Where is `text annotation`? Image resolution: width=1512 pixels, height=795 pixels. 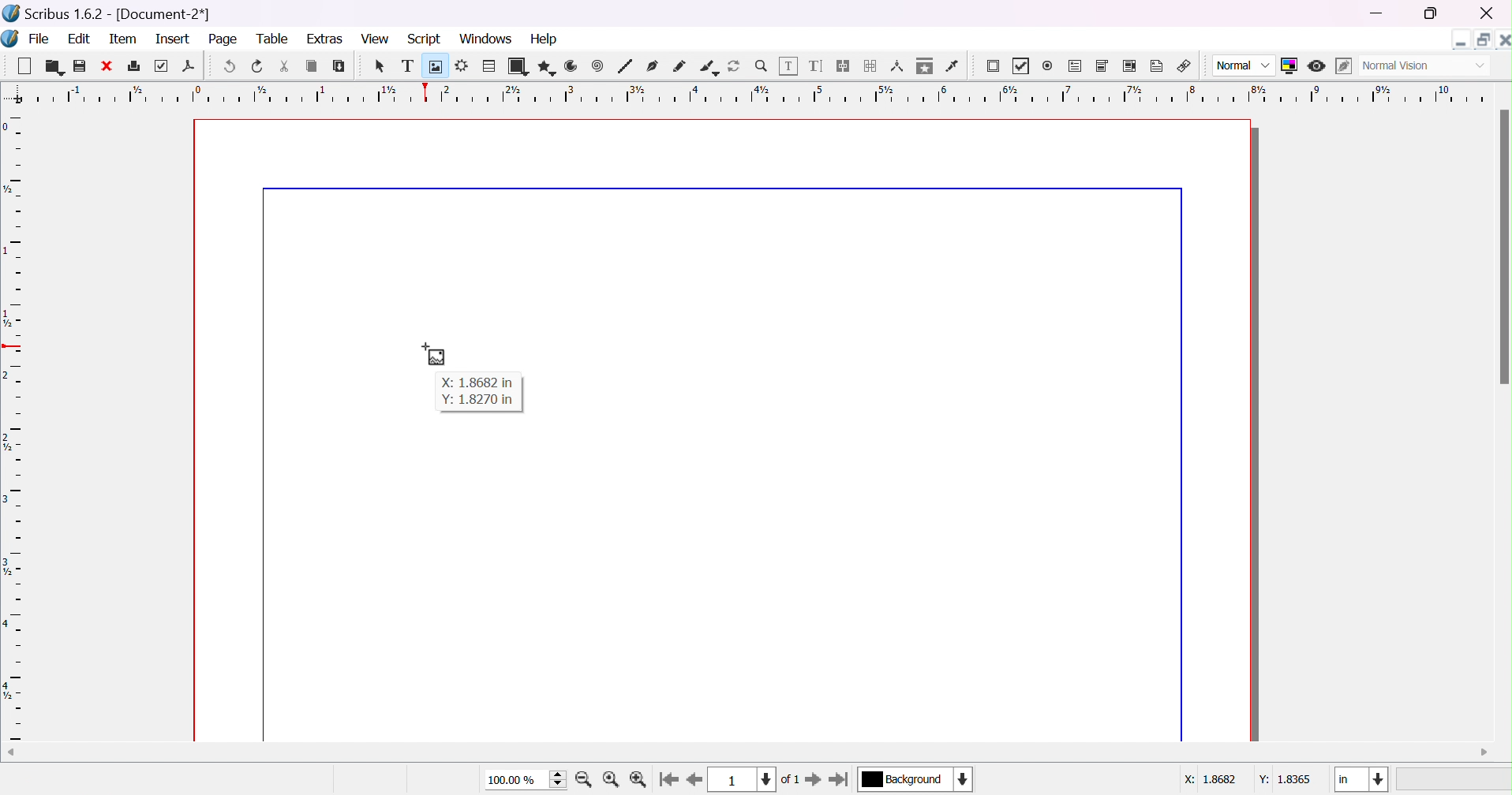 text annotation is located at coordinates (1158, 64).